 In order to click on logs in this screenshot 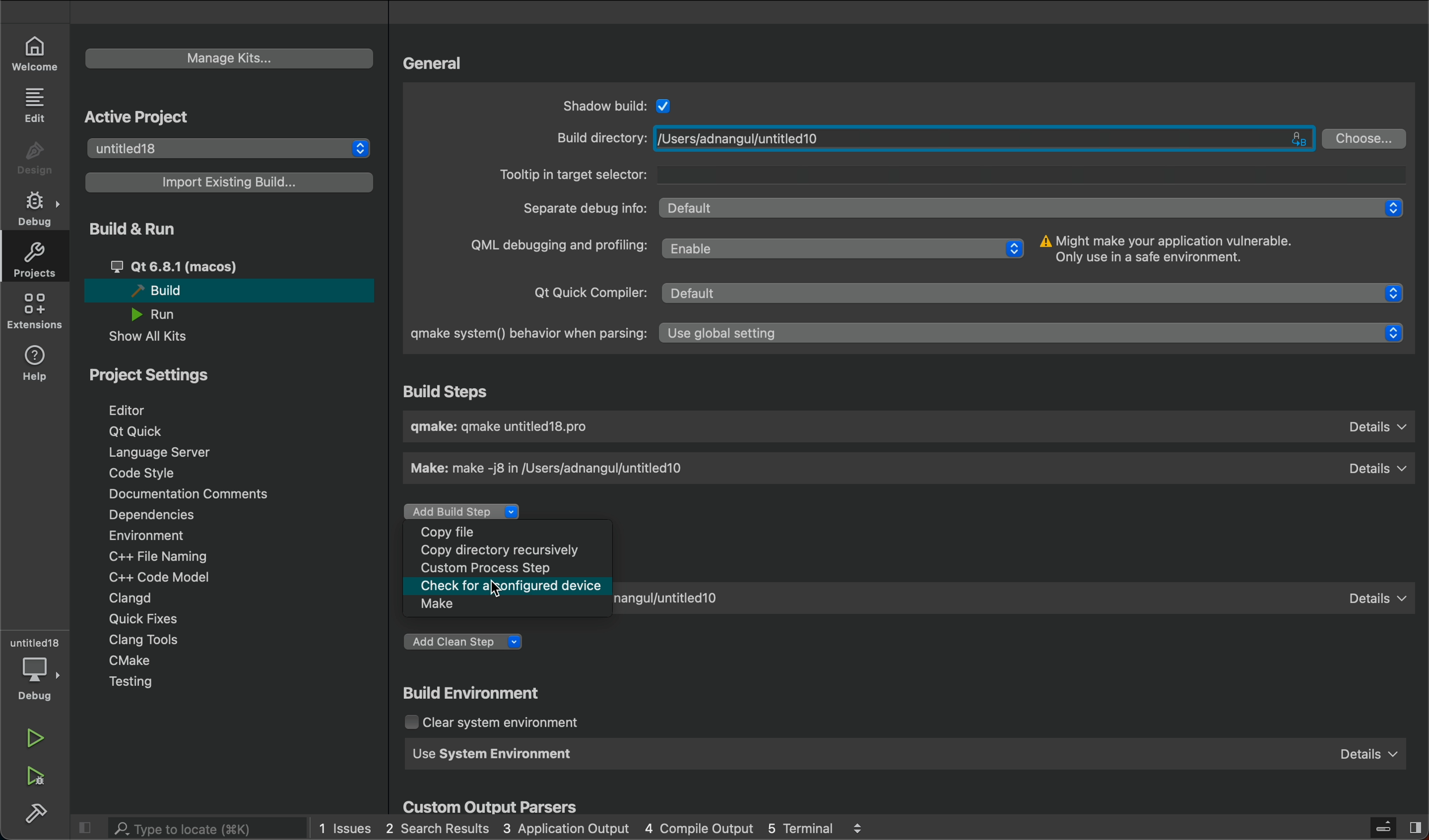, I will do `click(859, 826)`.